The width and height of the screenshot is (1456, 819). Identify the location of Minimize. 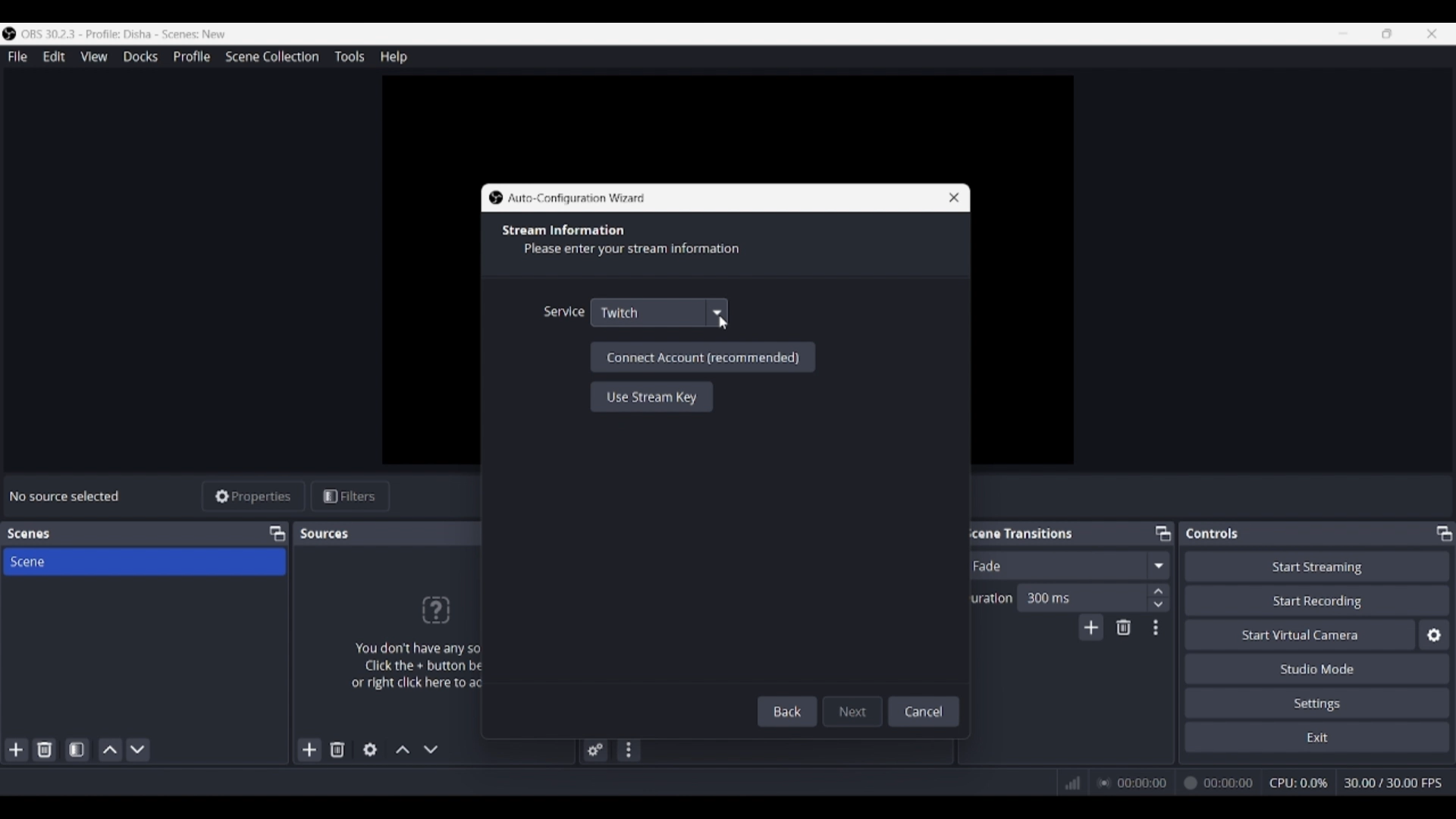
(1343, 33).